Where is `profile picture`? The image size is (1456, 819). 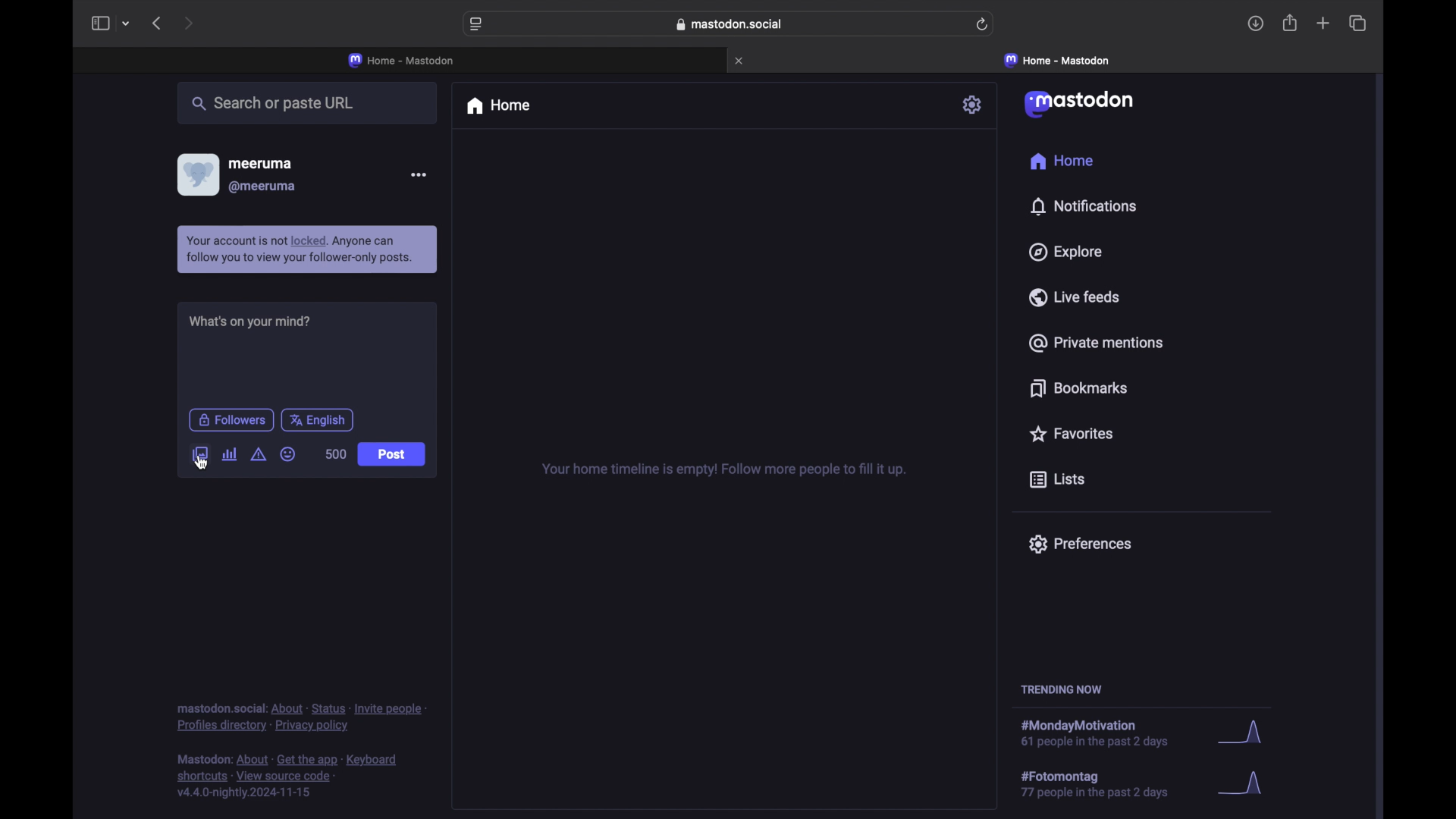
profile picture is located at coordinates (197, 174).